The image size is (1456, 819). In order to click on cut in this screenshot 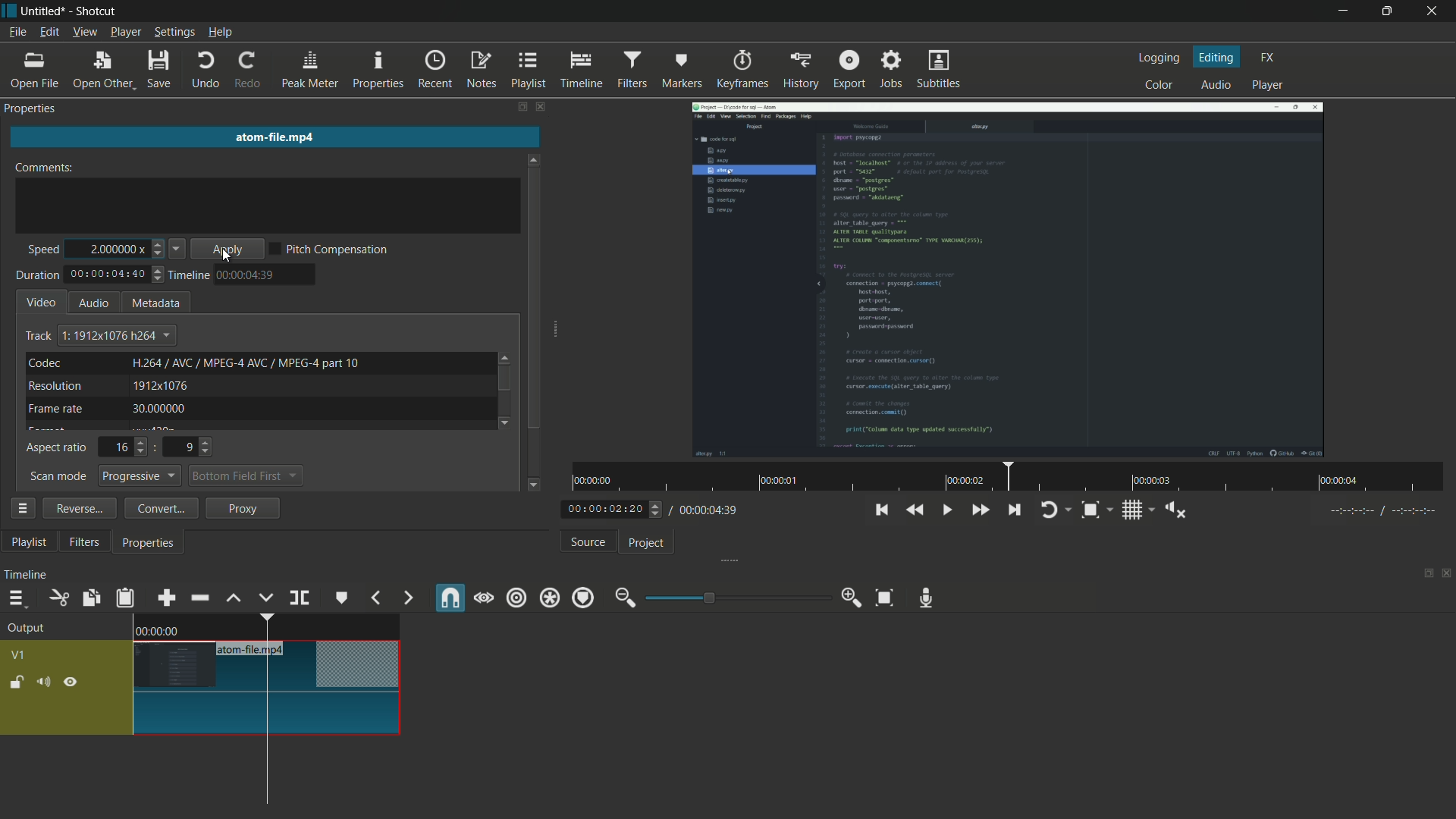, I will do `click(56, 598)`.